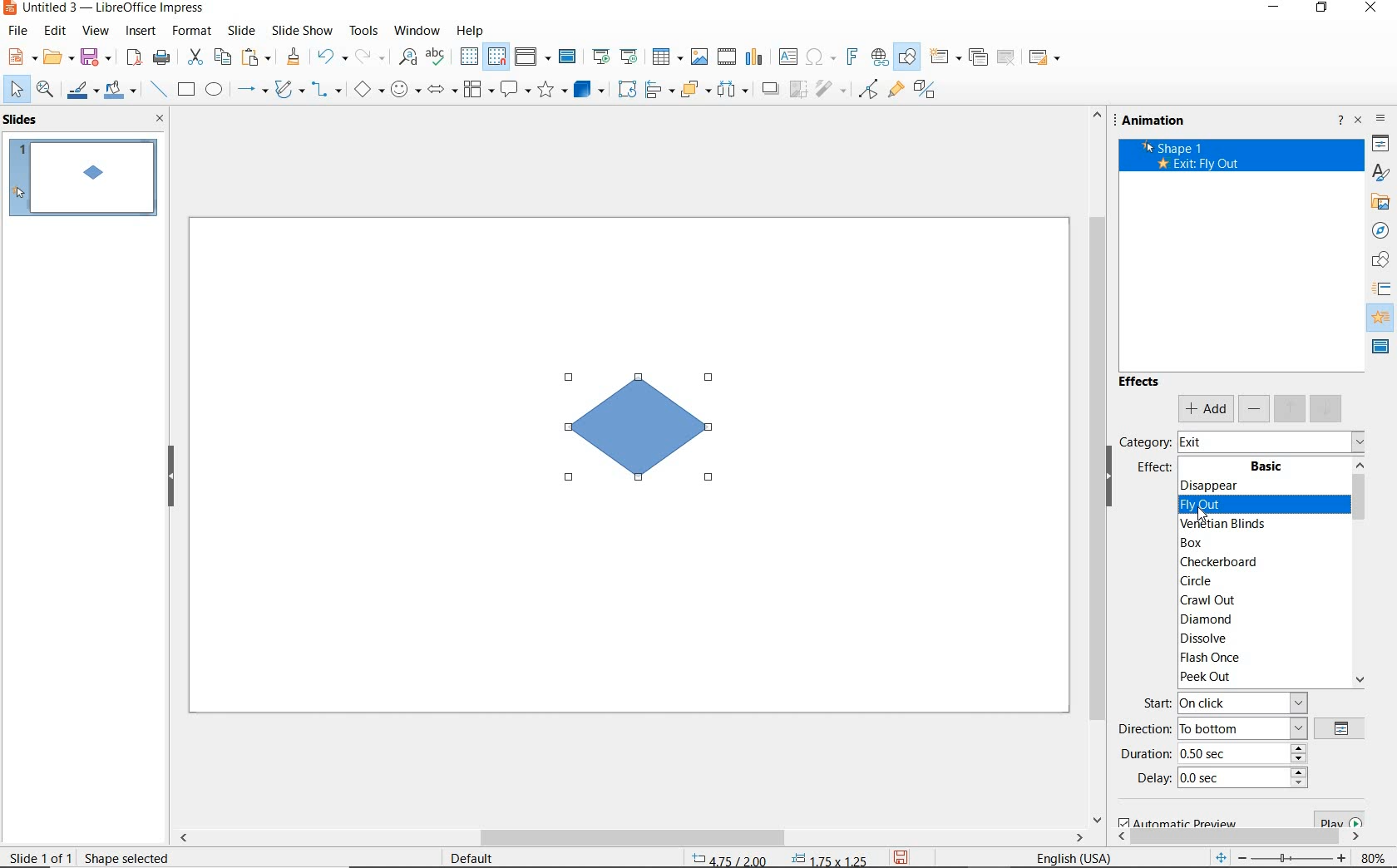  What do you see at coordinates (1258, 506) in the screenshot?
I see `fly out` at bounding box center [1258, 506].